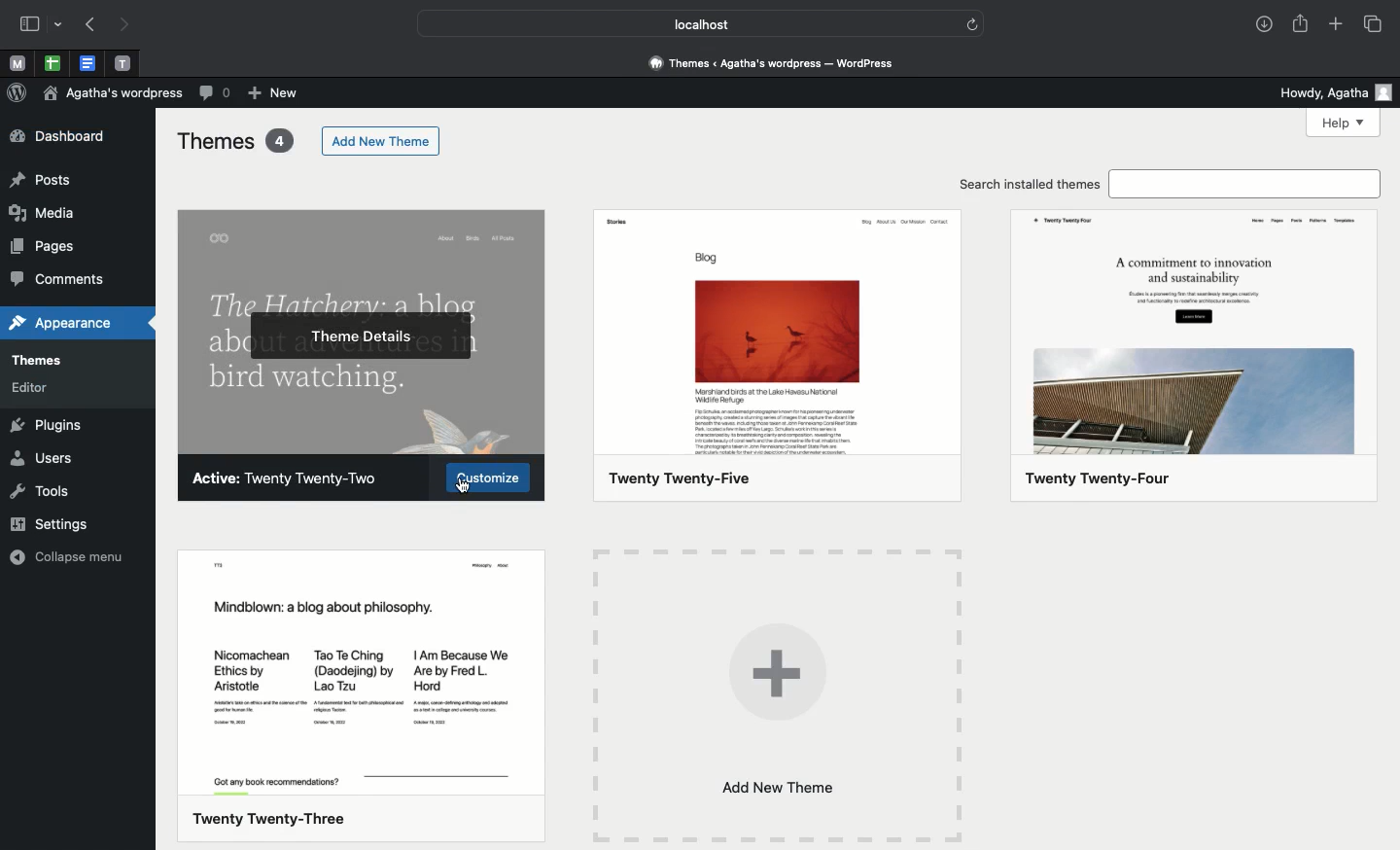 The height and width of the screenshot is (850, 1400). Describe the element at coordinates (43, 180) in the screenshot. I see `Posts` at that location.